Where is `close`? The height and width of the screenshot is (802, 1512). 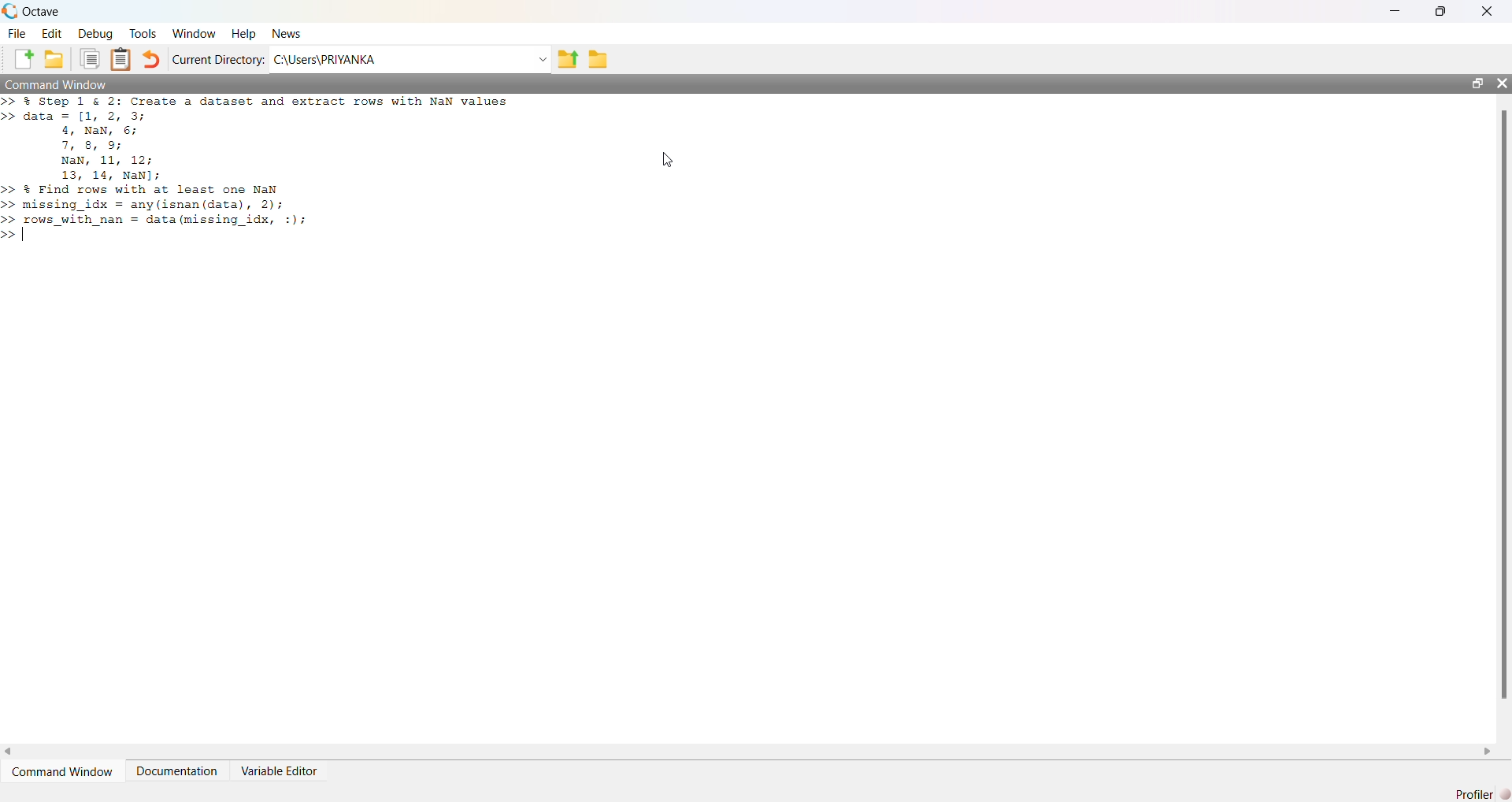
close is located at coordinates (1501, 83).